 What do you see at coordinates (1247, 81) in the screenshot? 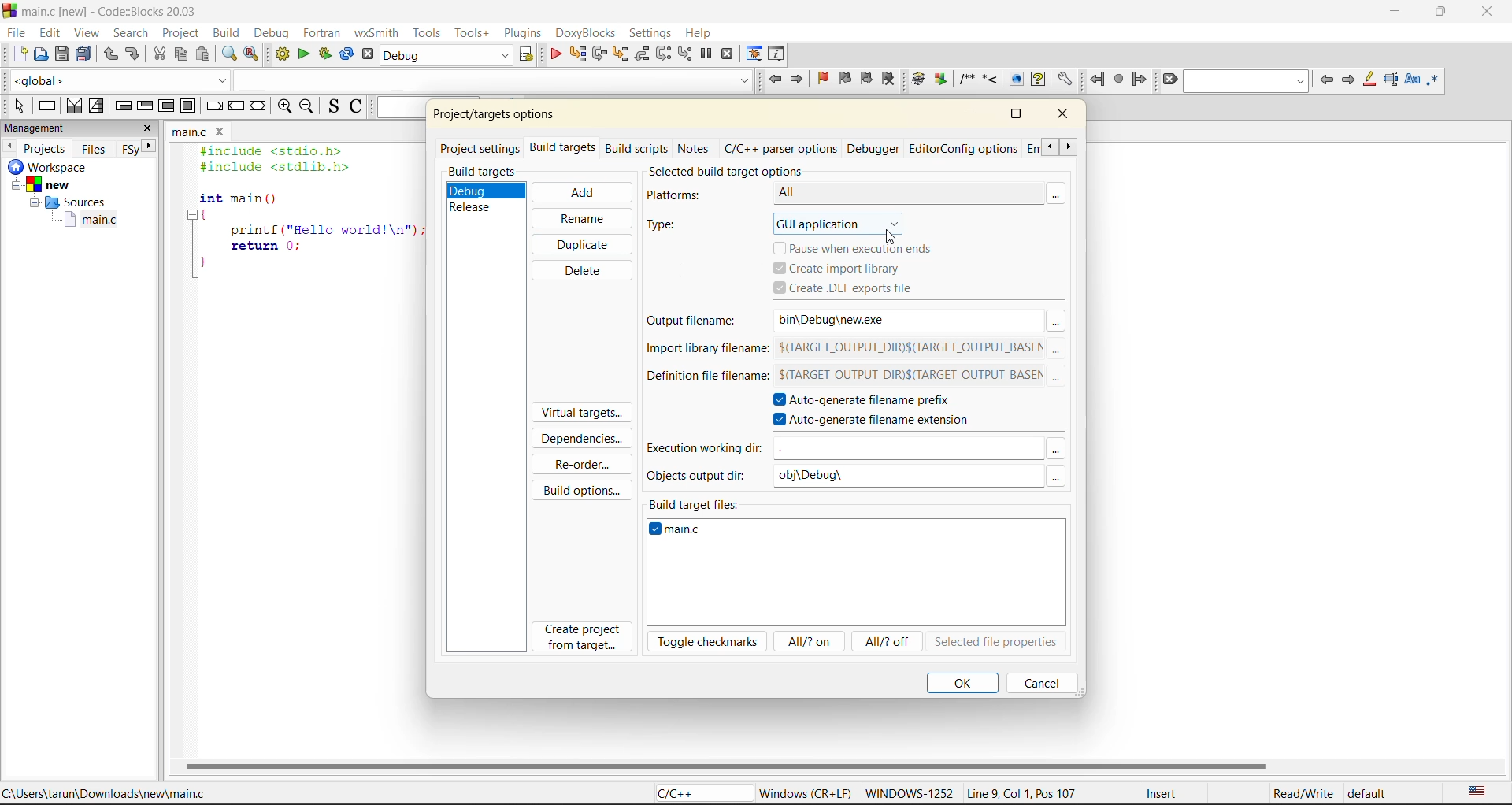
I see `text to find` at bounding box center [1247, 81].